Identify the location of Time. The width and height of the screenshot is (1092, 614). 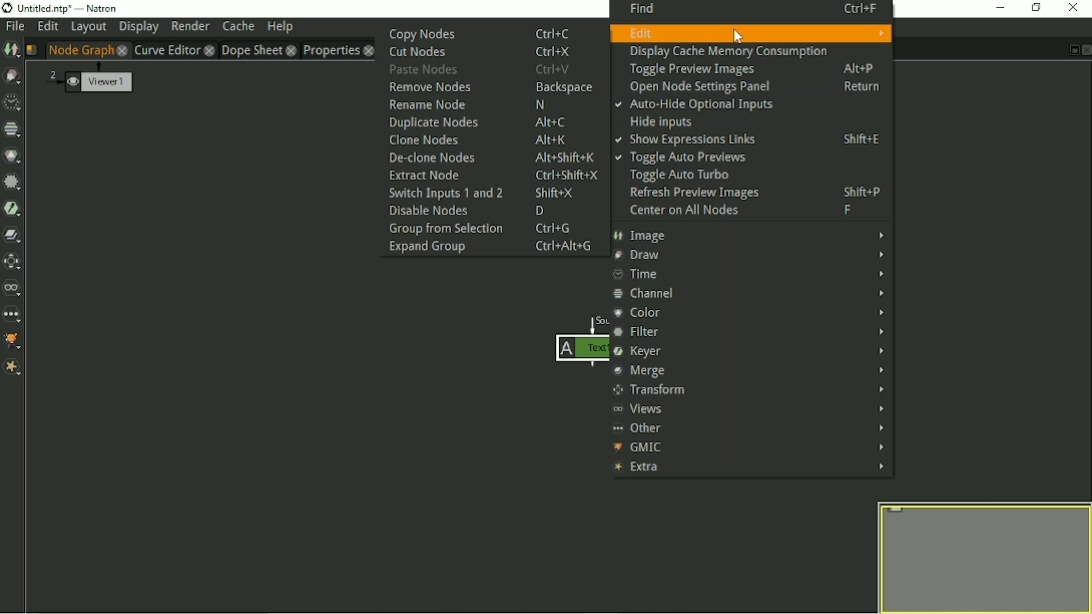
(750, 274).